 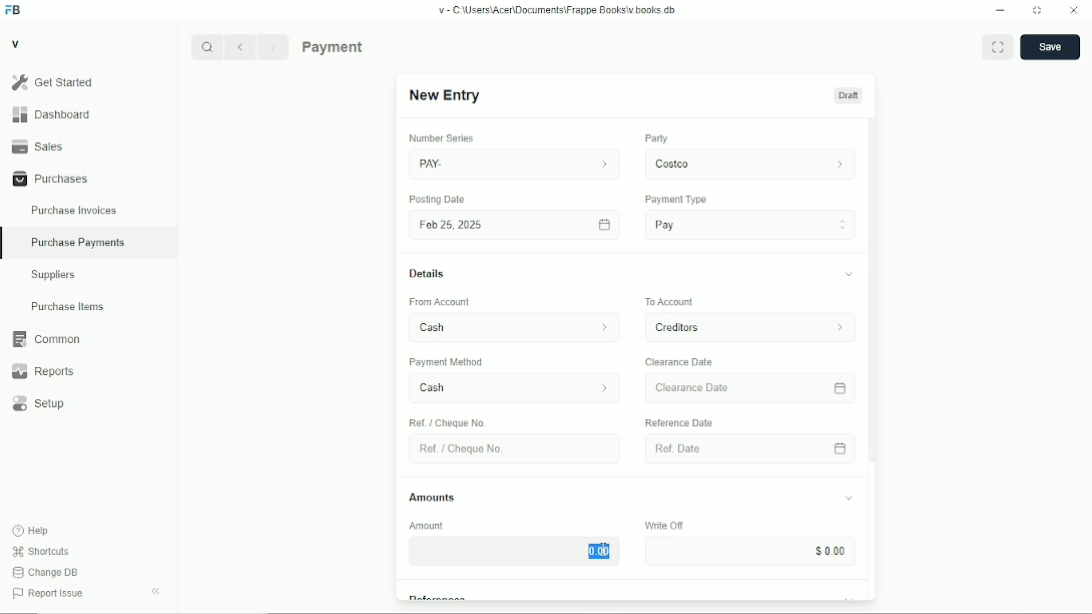 I want to click on Collapse, so click(x=155, y=591).